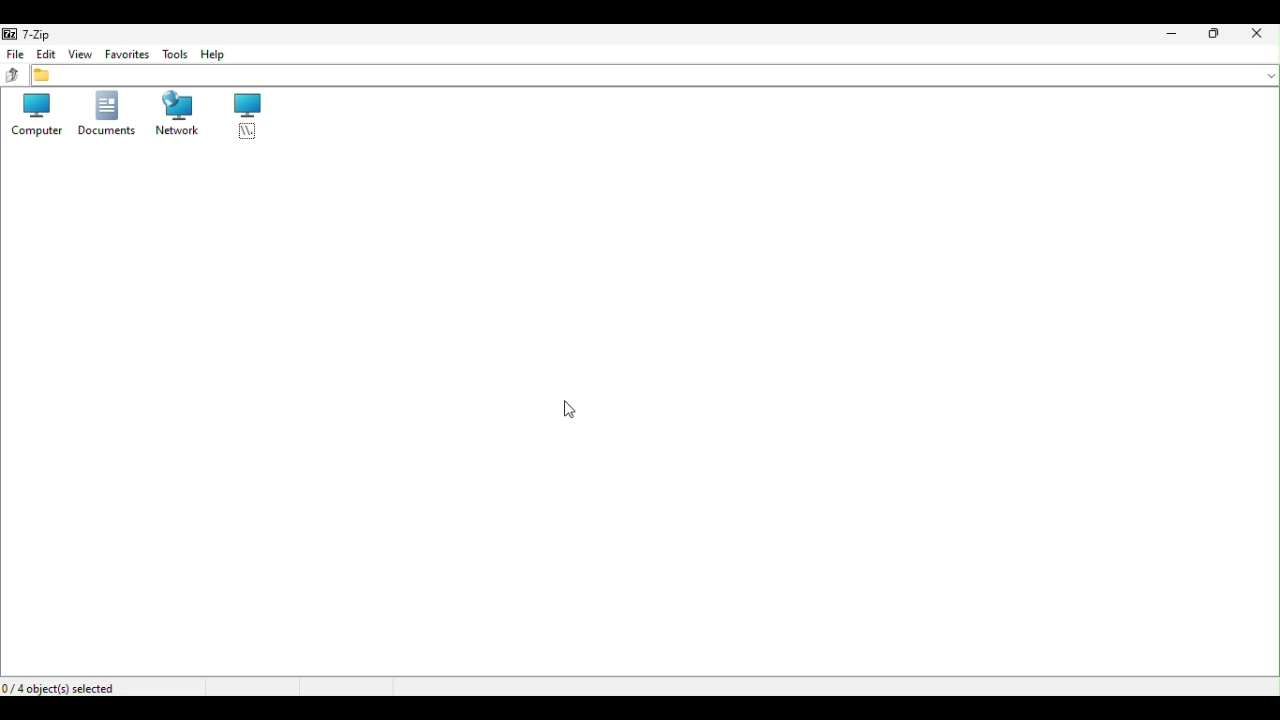  Describe the element at coordinates (172, 53) in the screenshot. I see `Tools` at that location.